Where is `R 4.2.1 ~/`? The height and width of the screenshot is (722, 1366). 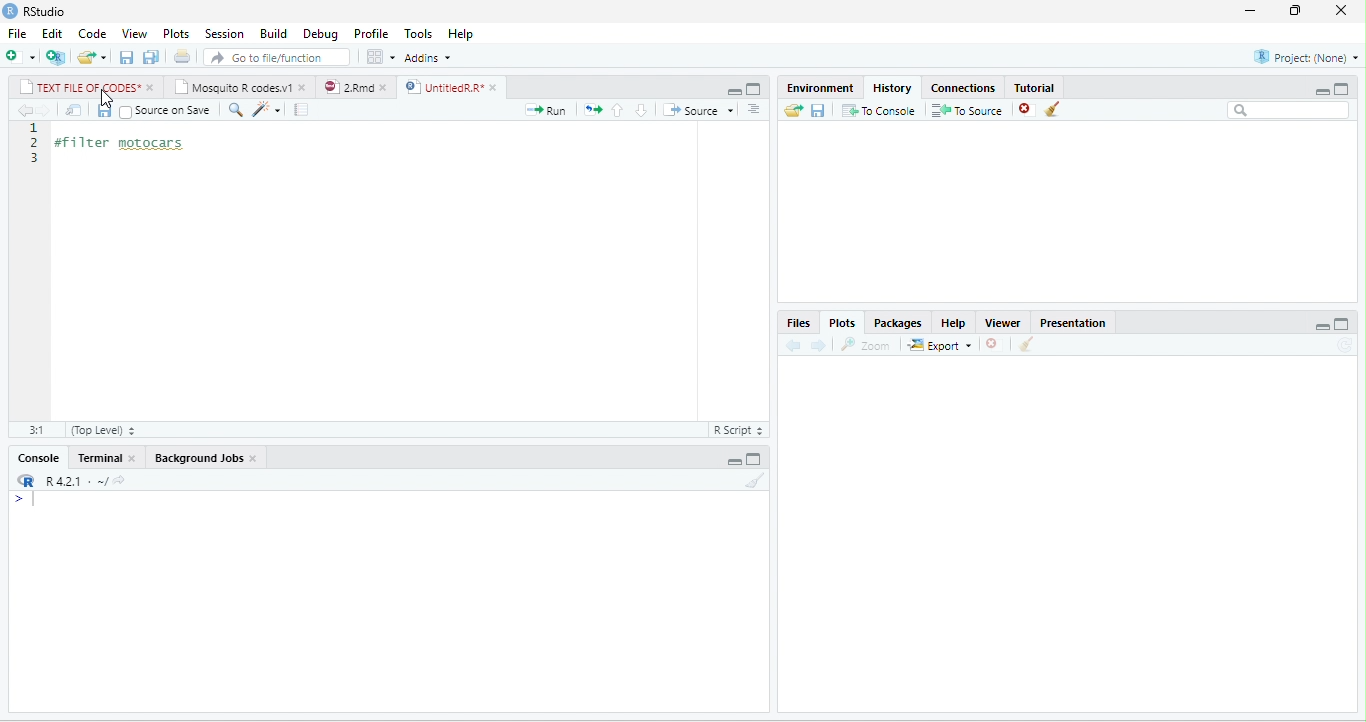 R 4.2.1 ~/ is located at coordinates (73, 481).